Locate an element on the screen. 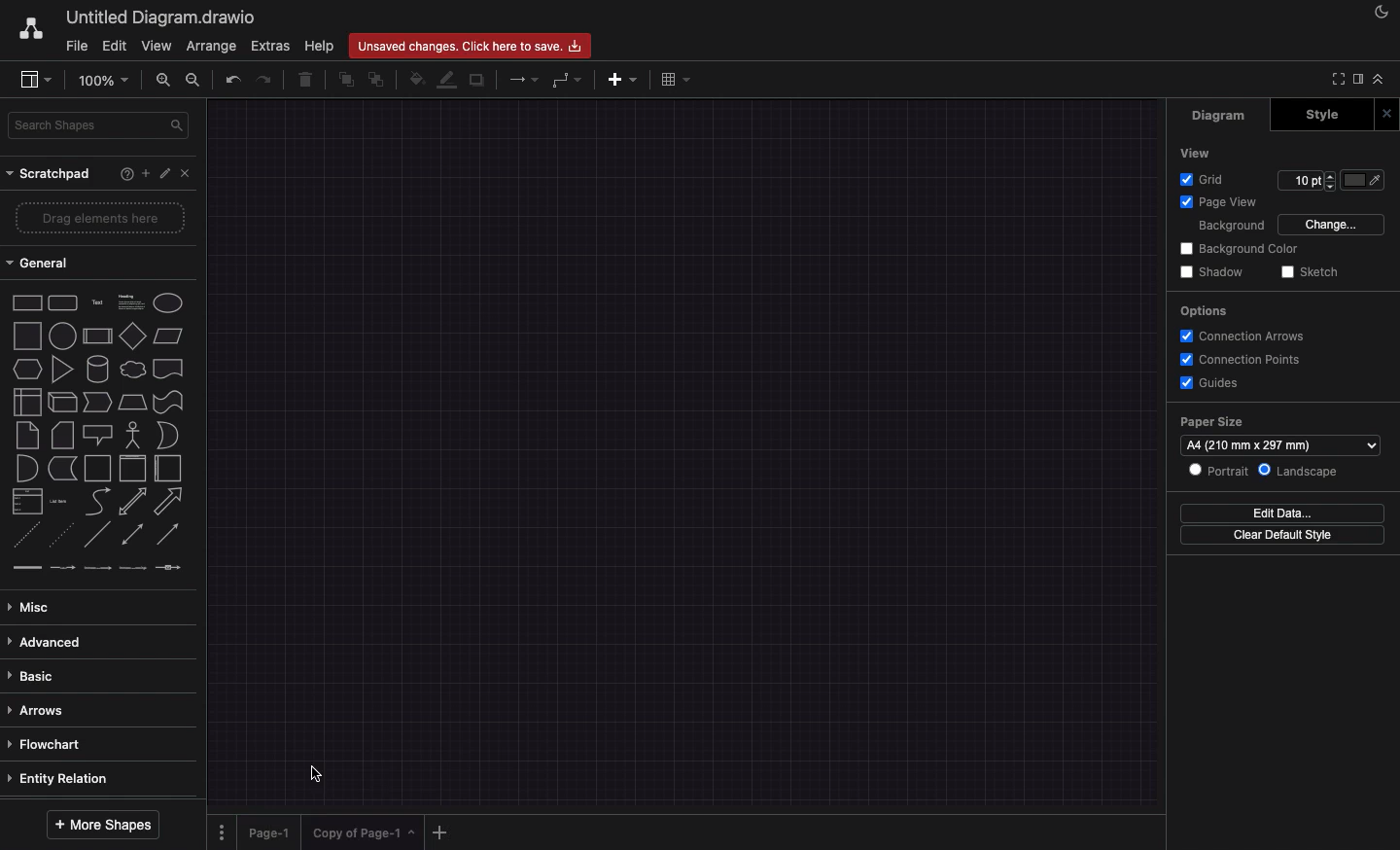 Image resolution: width=1400 pixels, height=850 pixels. help is located at coordinates (126, 174).